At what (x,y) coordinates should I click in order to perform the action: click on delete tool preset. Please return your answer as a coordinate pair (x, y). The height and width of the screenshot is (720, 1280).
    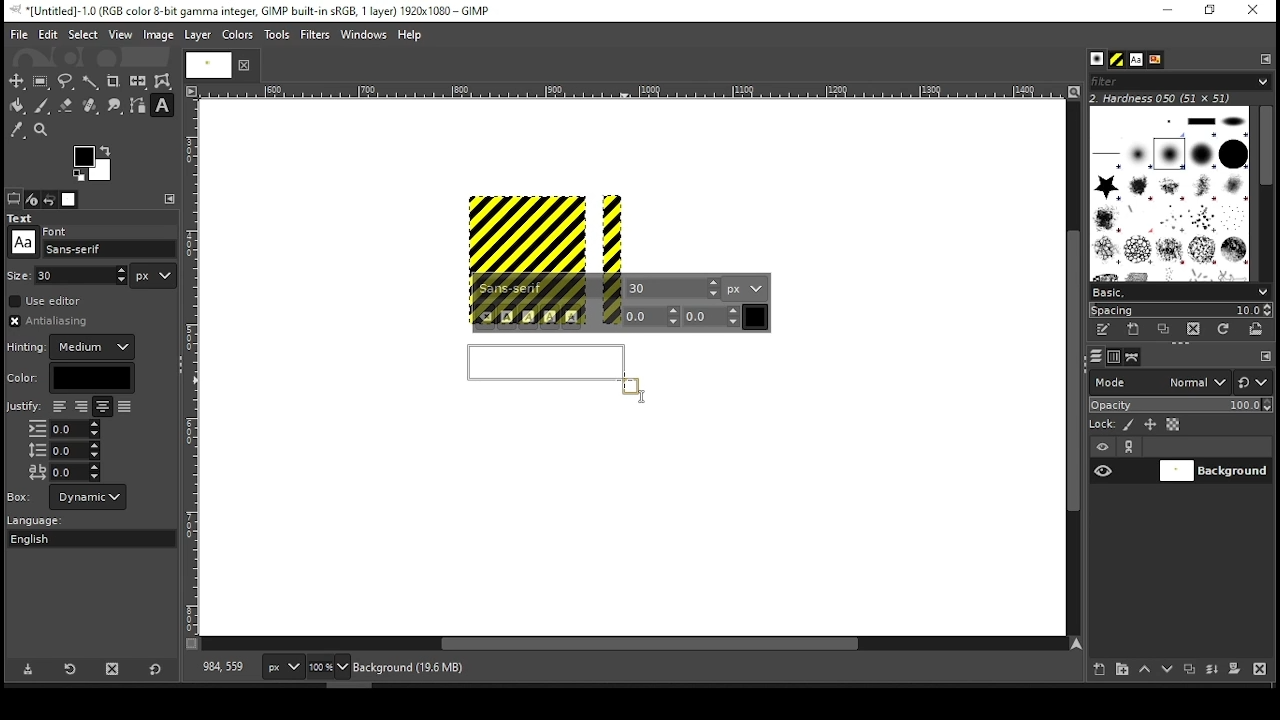
    Looking at the image, I should click on (118, 668).